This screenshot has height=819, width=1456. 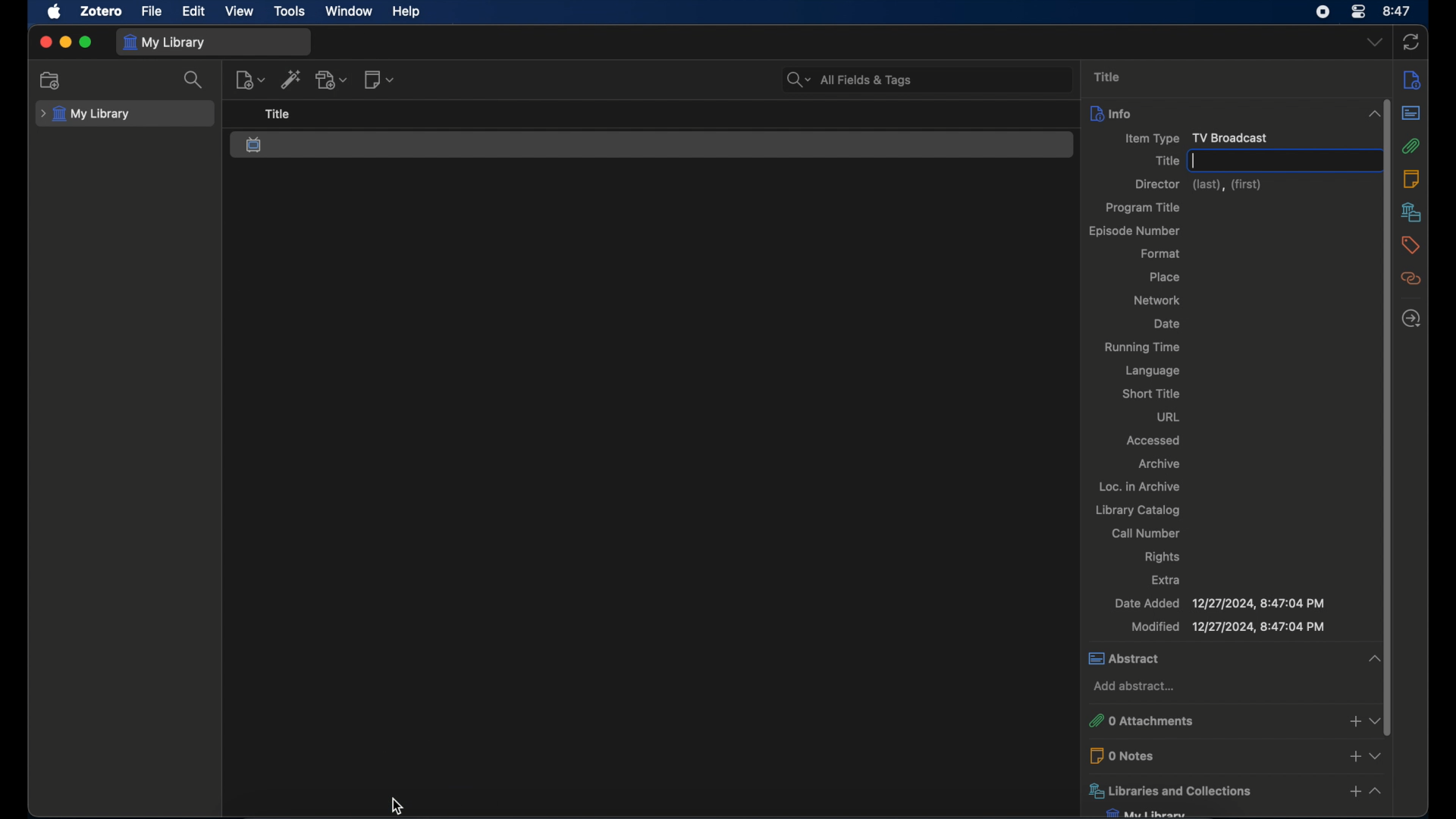 What do you see at coordinates (1410, 115) in the screenshot?
I see `abstract` at bounding box center [1410, 115].